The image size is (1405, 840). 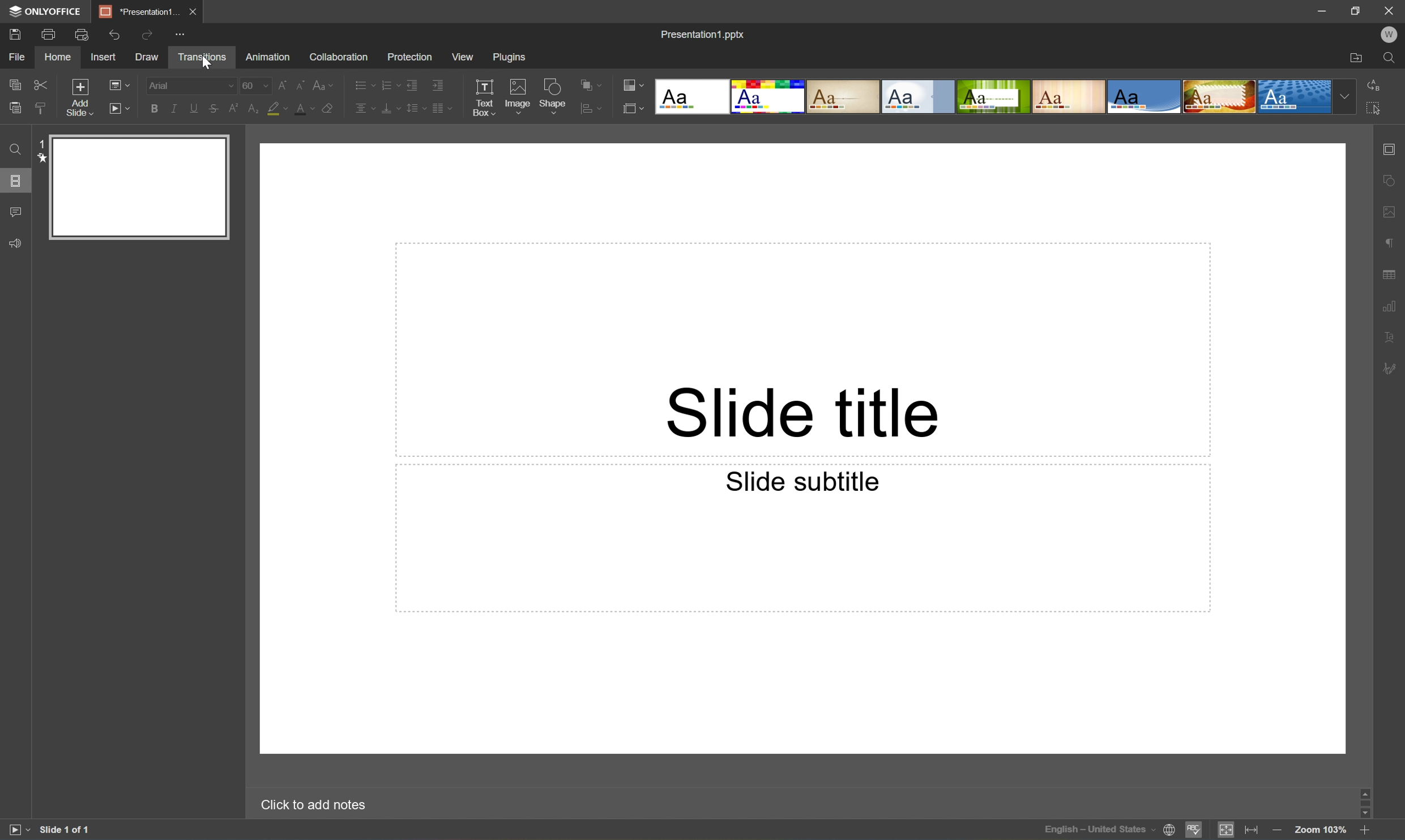 What do you see at coordinates (391, 109) in the screenshot?
I see `Vertical align` at bounding box center [391, 109].